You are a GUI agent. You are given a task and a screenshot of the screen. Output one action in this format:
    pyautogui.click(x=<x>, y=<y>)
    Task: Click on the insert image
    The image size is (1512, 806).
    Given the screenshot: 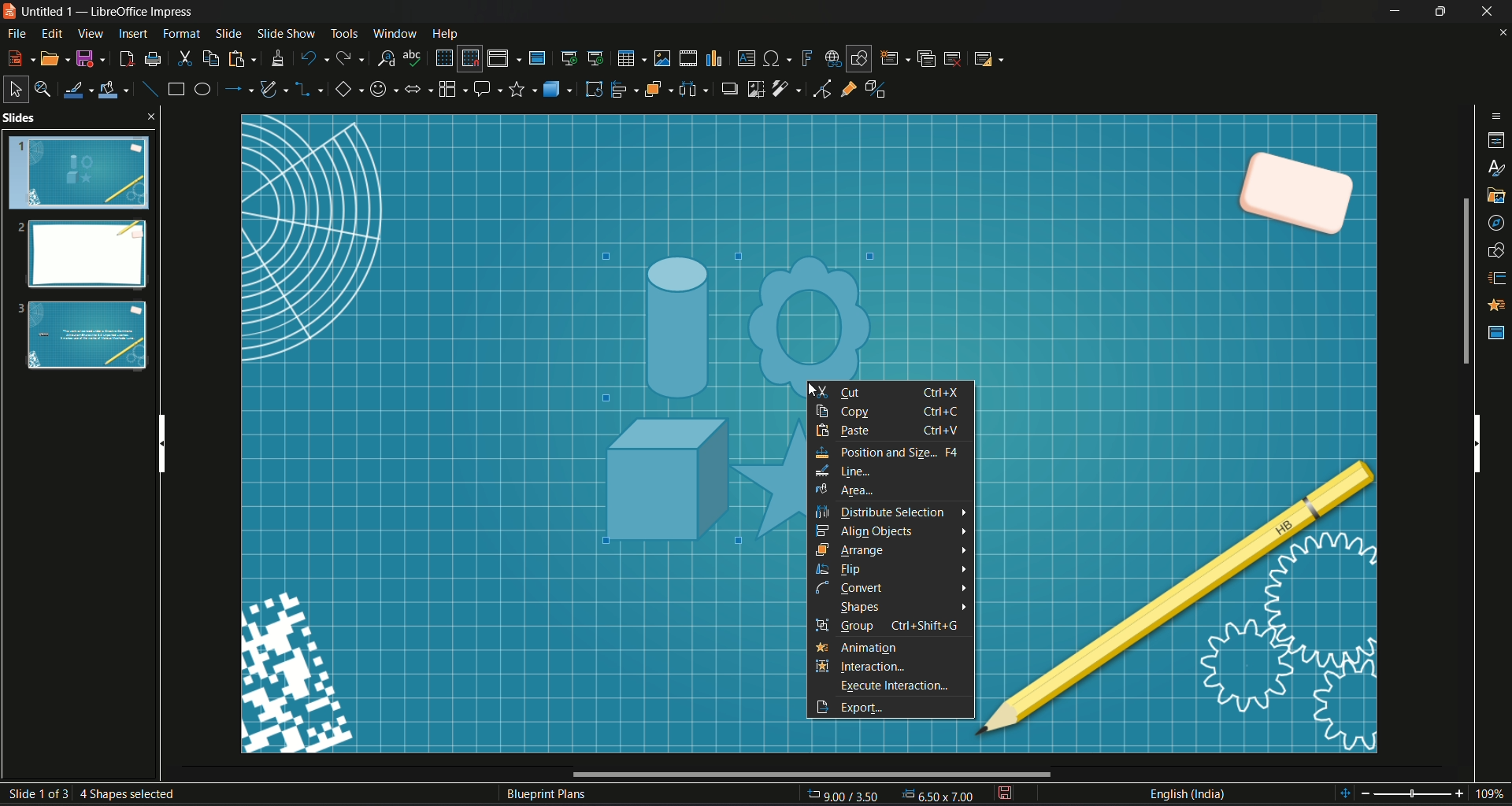 What is the action you would take?
    pyautogui.click(x=662, y=57)
    